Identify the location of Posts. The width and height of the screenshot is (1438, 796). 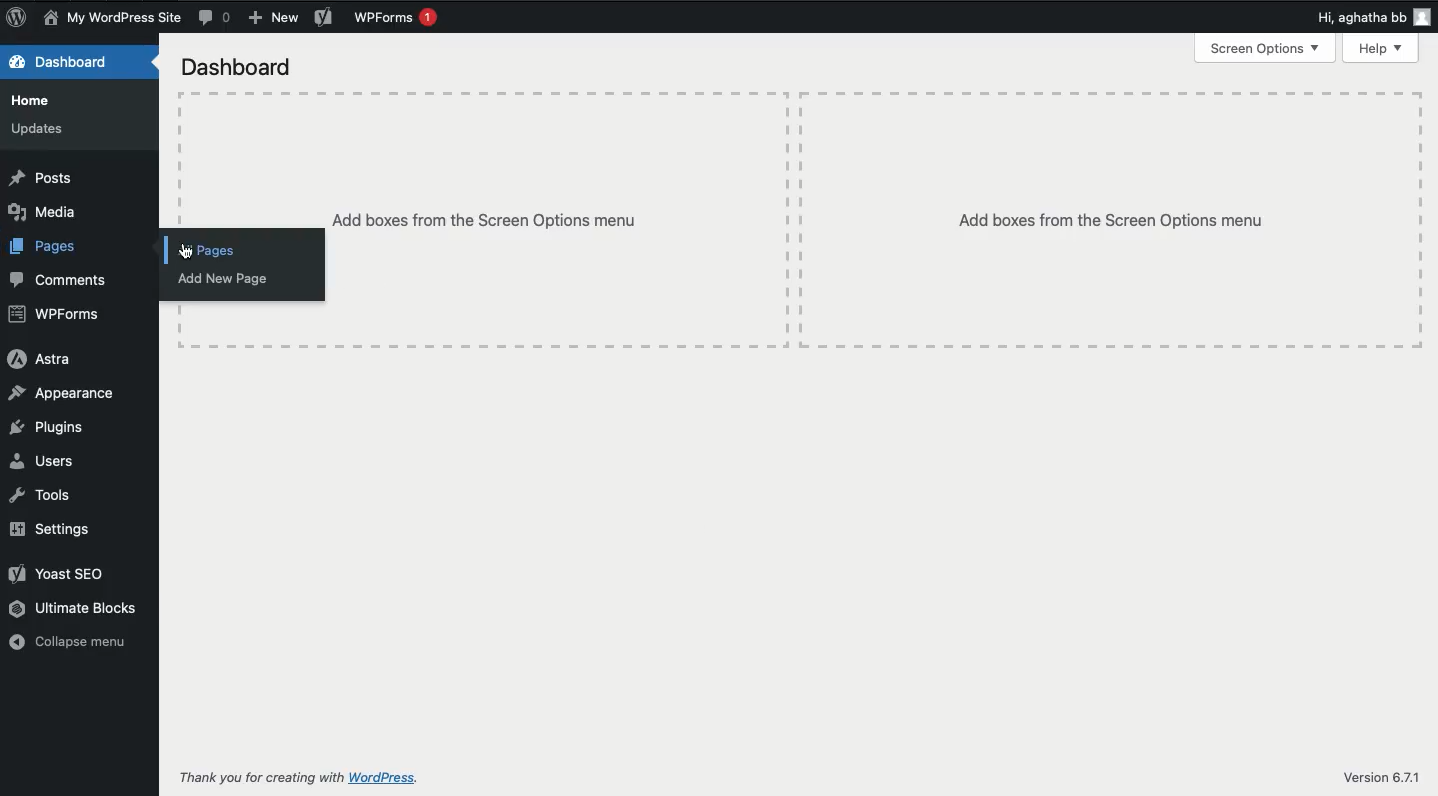
(42, 178).